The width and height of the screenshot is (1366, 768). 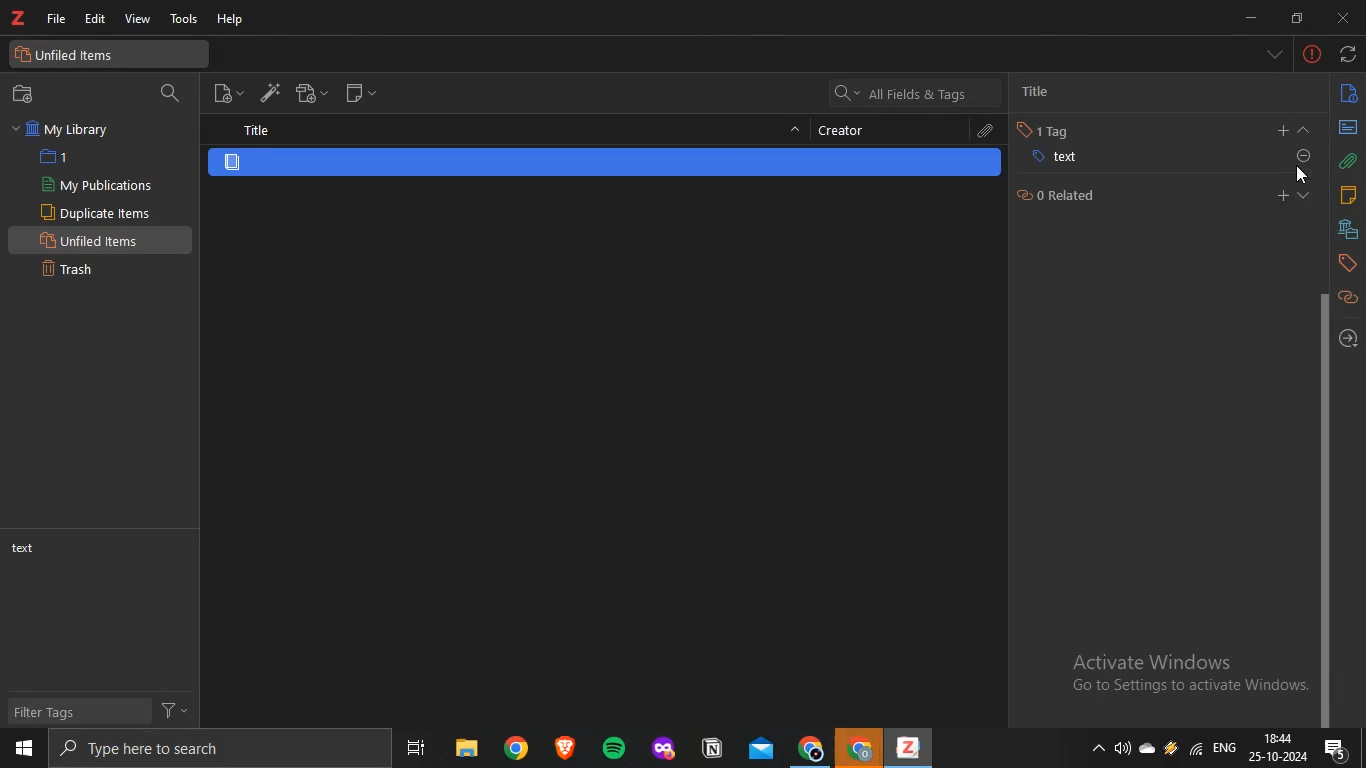 What do you see at coordinates (1348, 55) in the screenshot?
I see `sync with zotero` at bounding box center [1348, 55].